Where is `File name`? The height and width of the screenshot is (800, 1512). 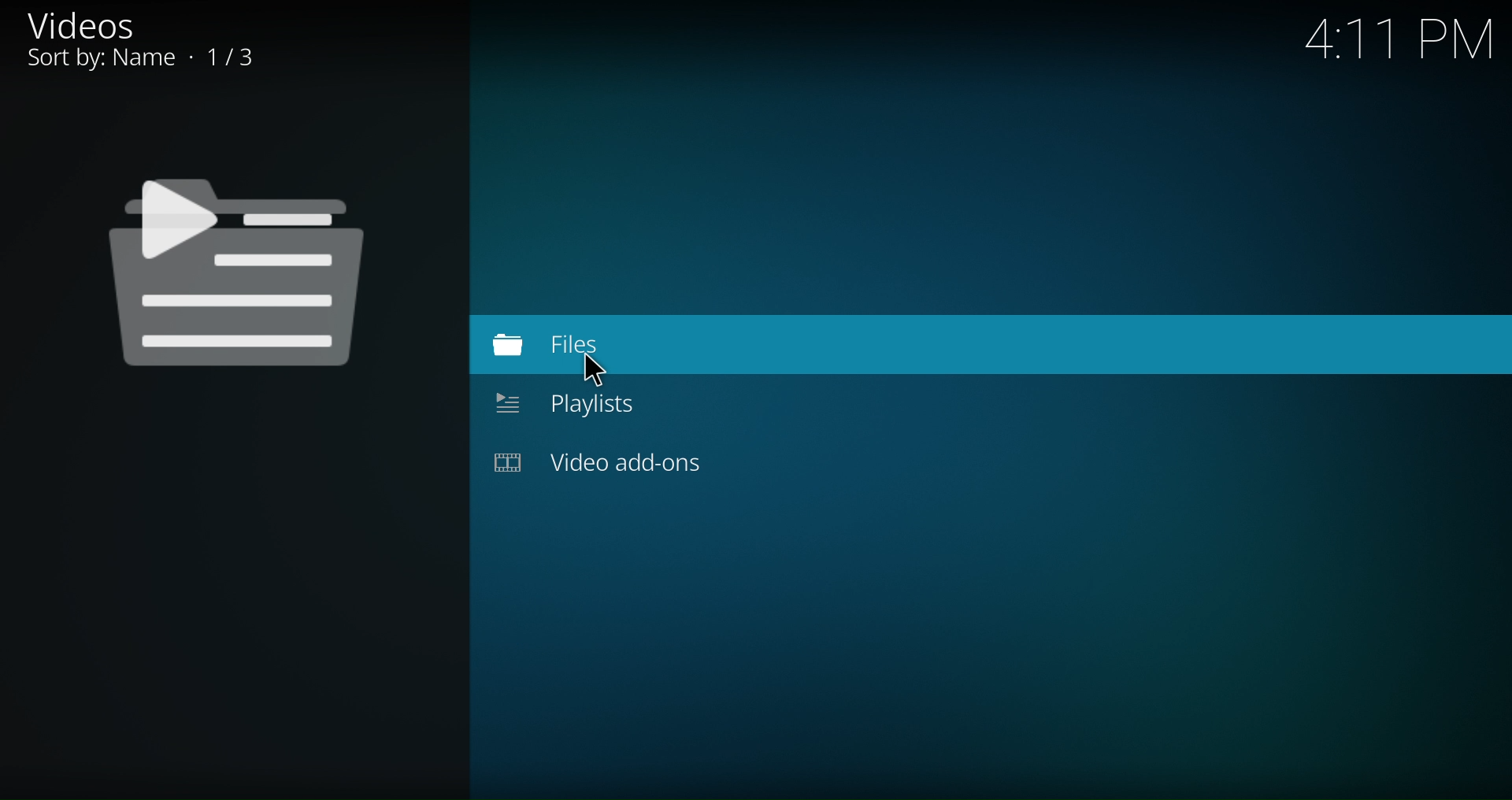
File name is located at coordinates (143, 39).